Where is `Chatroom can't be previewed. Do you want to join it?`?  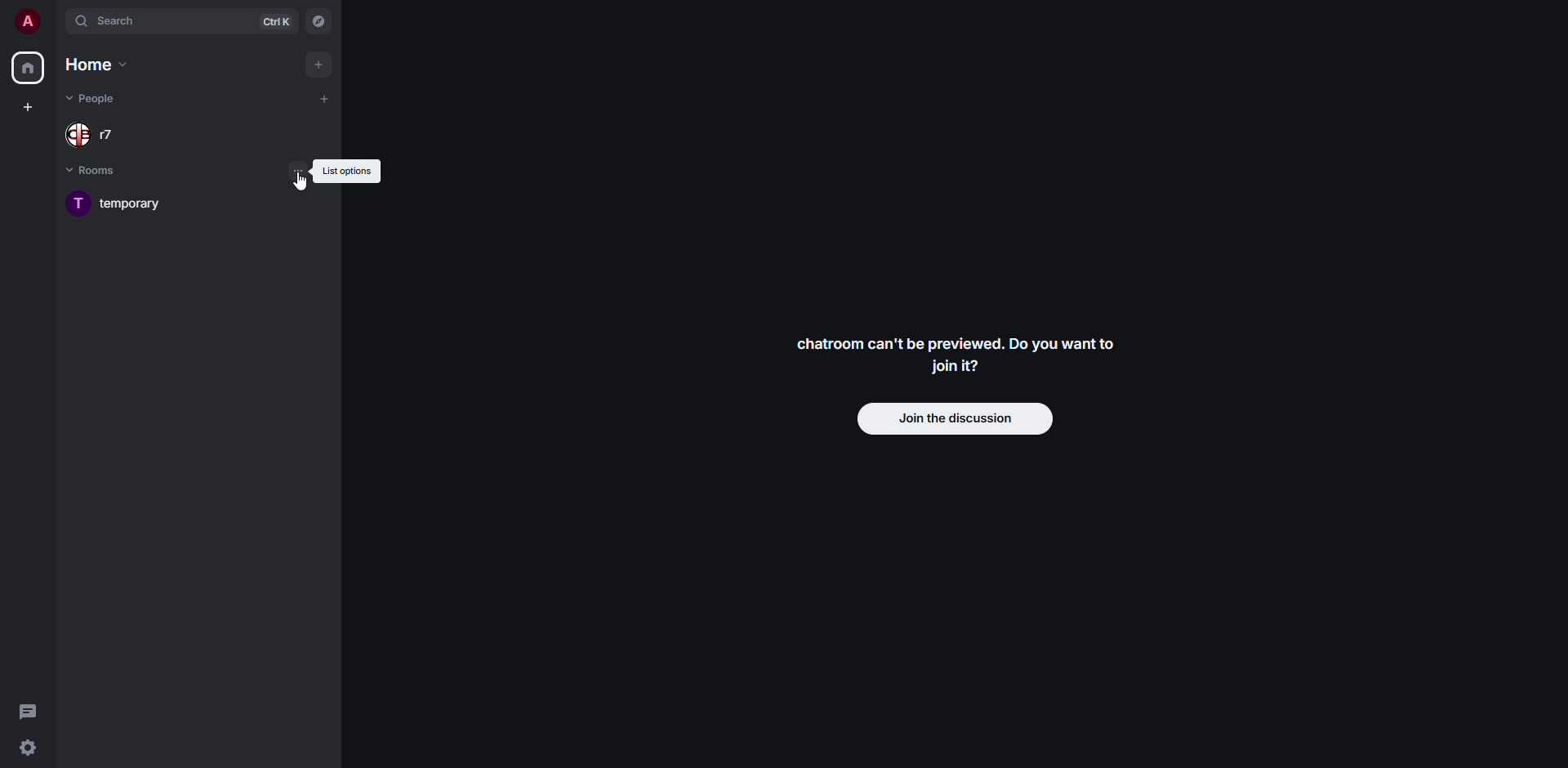 Chatroom can't be previewed. Do you want to join it? is located at coordinates (955, 356).